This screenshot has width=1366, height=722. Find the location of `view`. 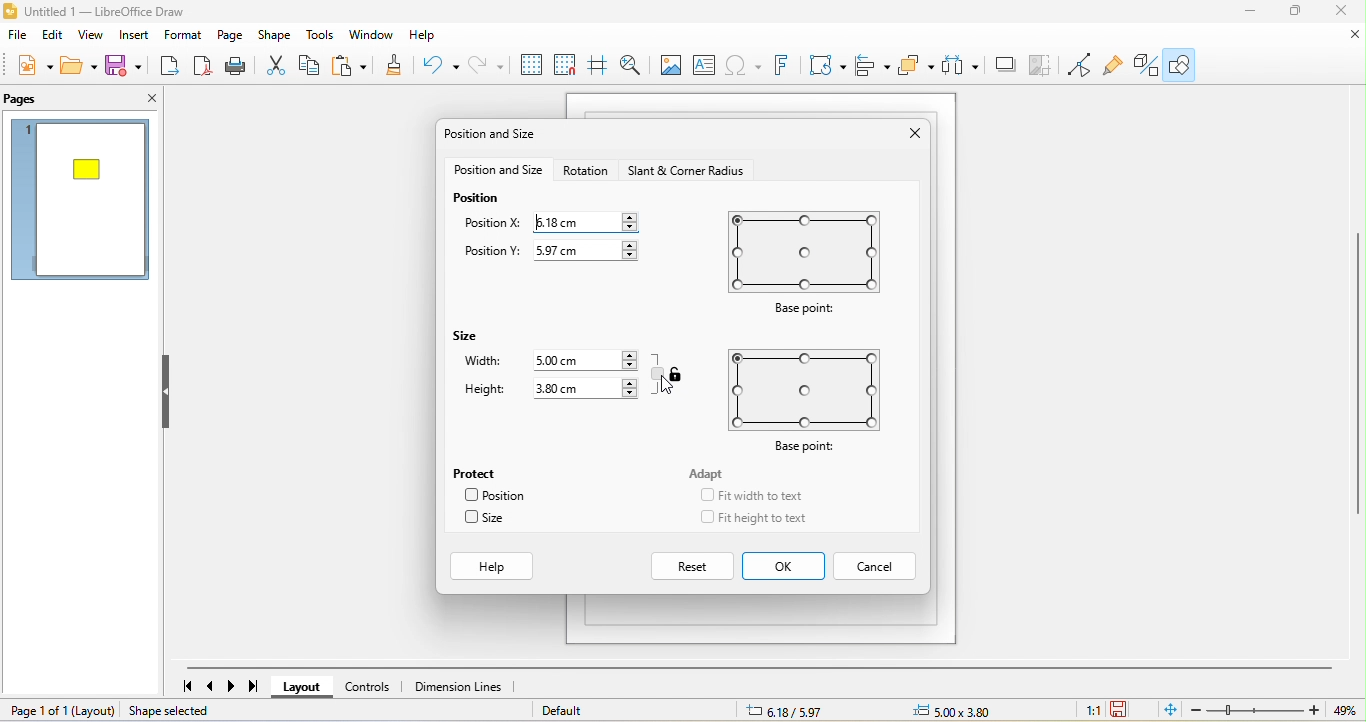

view is located at coordinates (93, 35).